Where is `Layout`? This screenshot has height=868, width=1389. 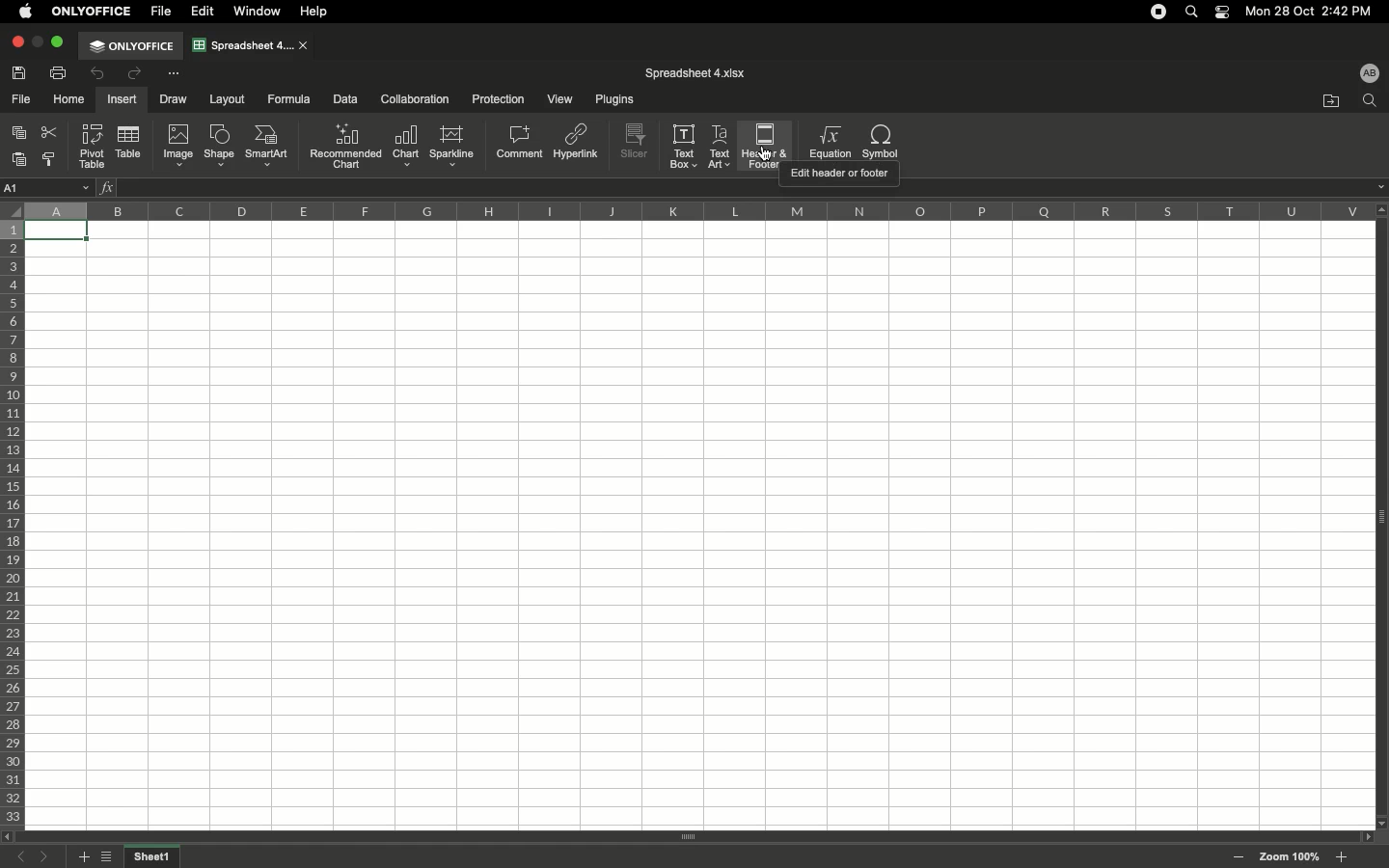 Layout is located at coordinates (228, 99).